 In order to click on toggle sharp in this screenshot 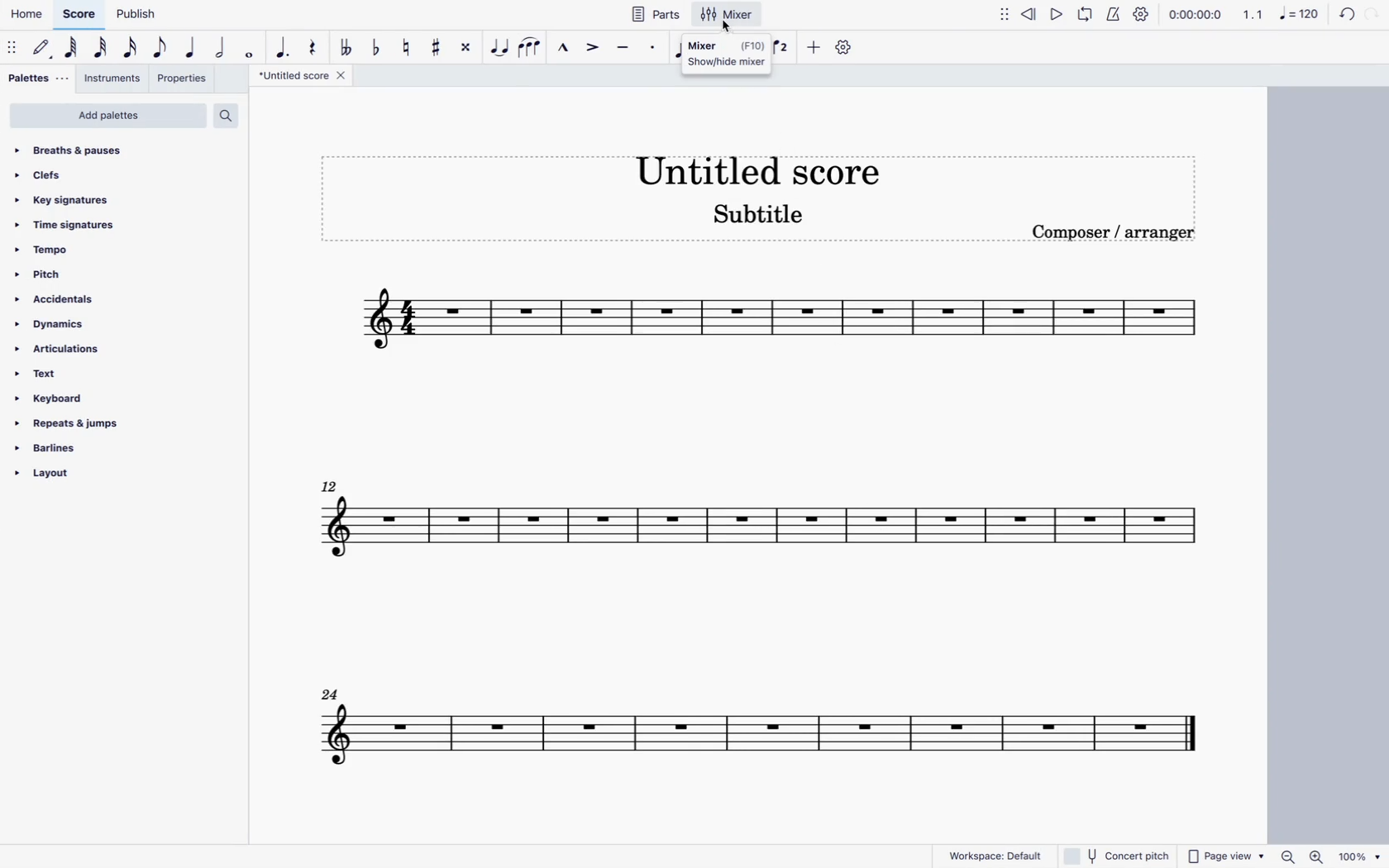, I will do `click(439, 45)`.